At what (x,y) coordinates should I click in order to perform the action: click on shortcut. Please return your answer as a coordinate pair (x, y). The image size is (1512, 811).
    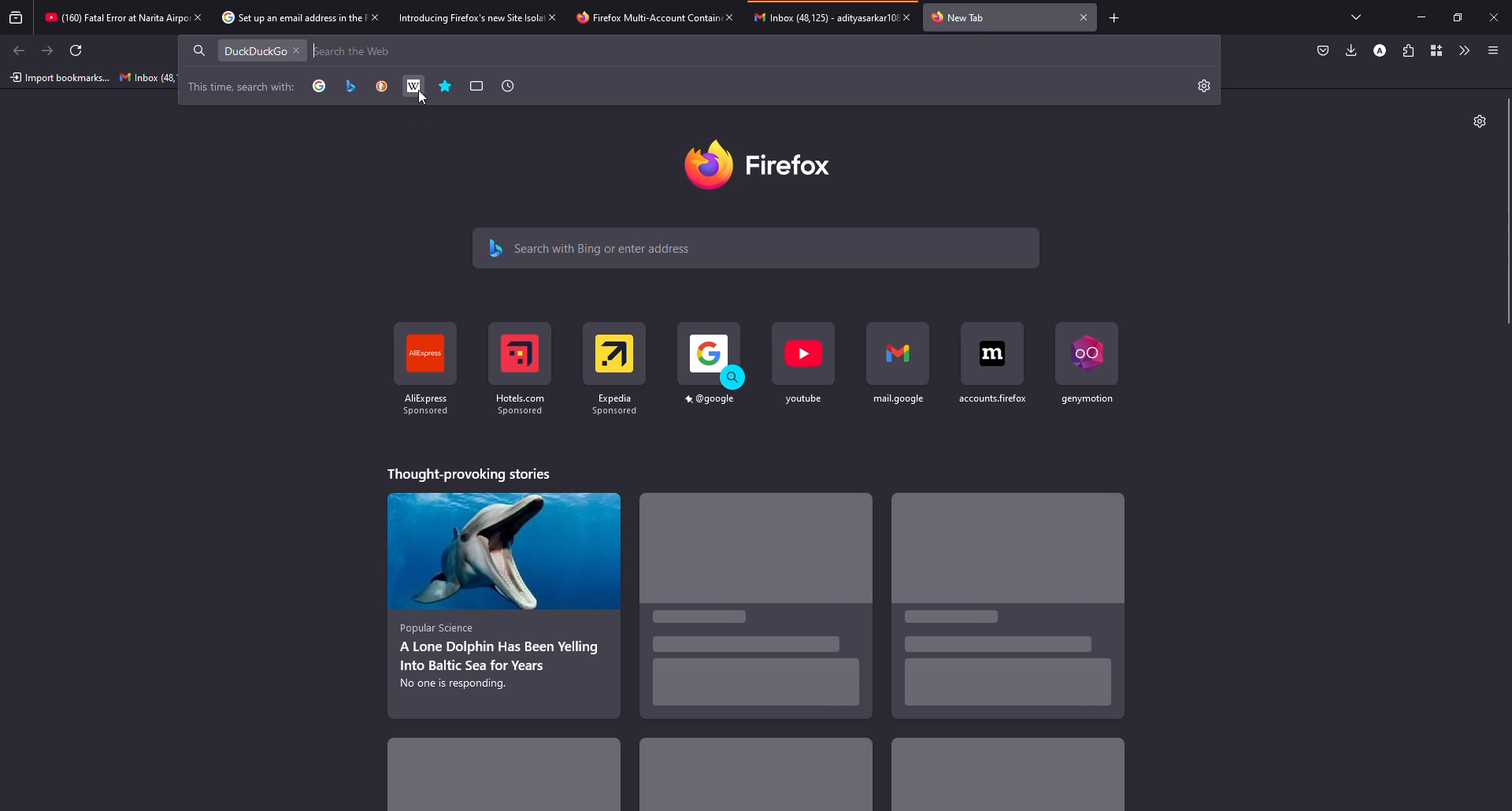
    Looking at the image, I should click on (1084, 369).